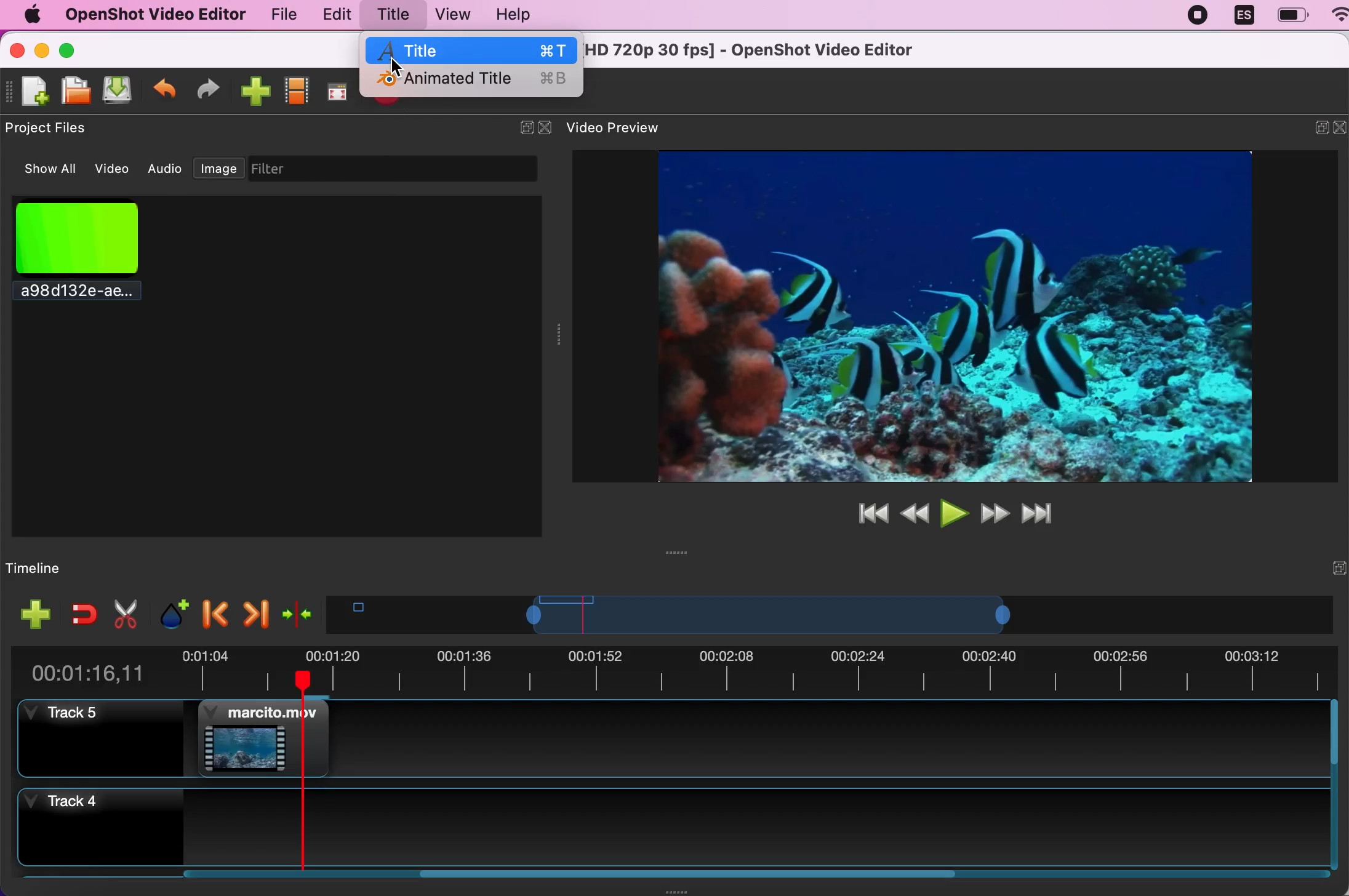 Image resolution: width=1349 pixels, height=896 pixels. Describe the element at coordinates (33, 614) in the screenshot. I see `add track` at that location.